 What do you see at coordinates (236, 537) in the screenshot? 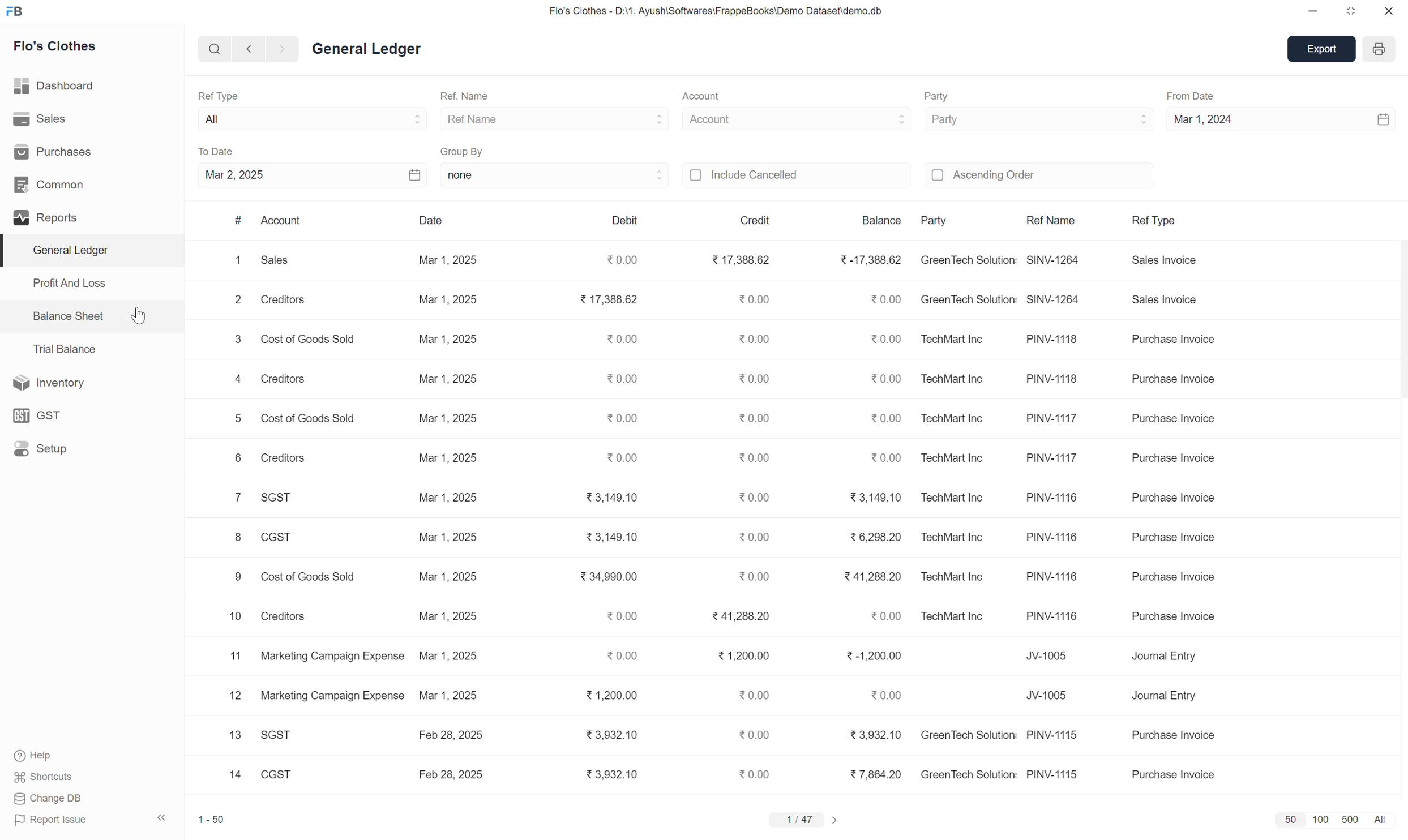
I see `8` at bounding box center [236, 537].